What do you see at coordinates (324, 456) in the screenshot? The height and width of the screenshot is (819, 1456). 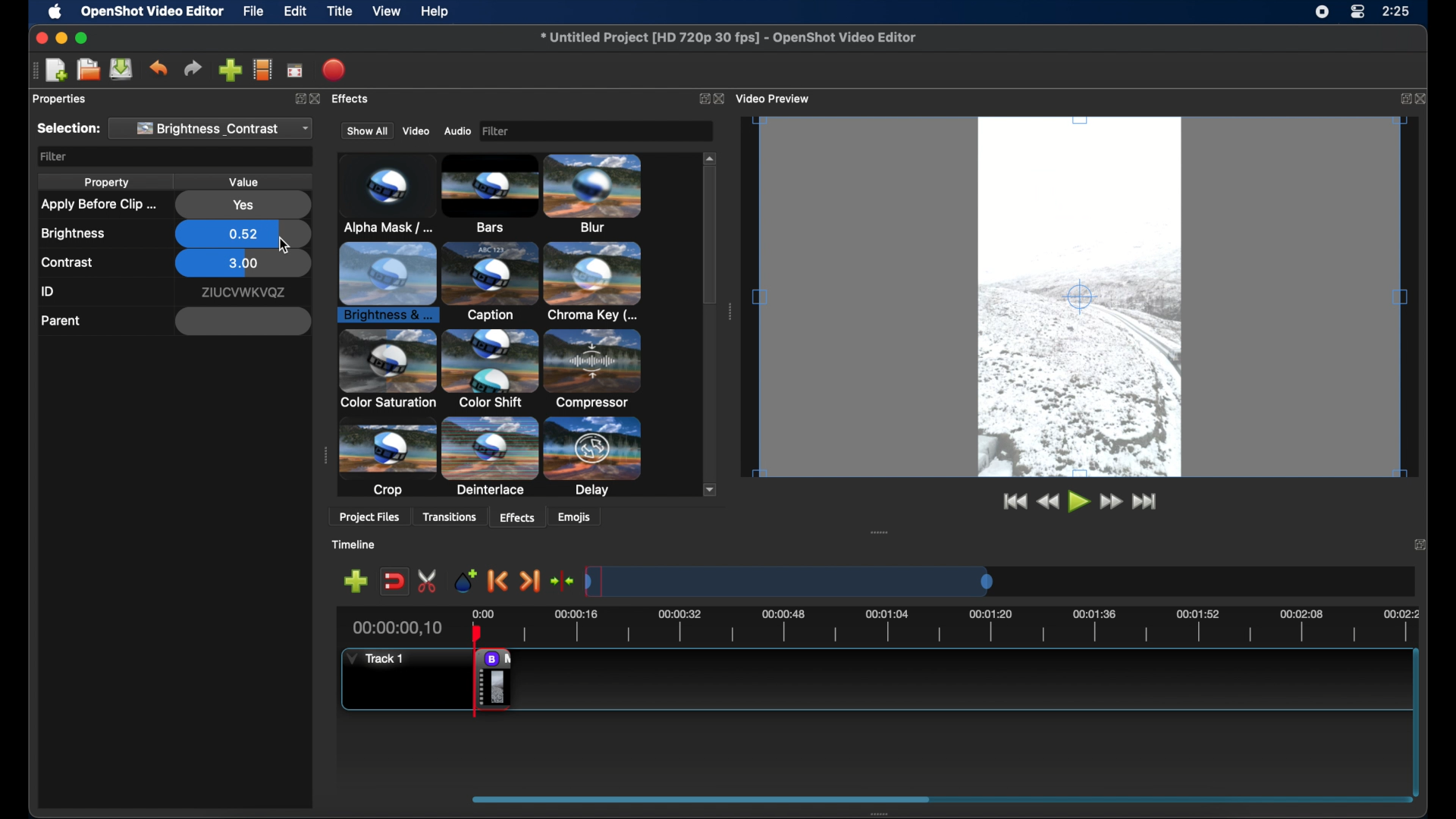 I see `drag handle` at bounding box center [324, 456].